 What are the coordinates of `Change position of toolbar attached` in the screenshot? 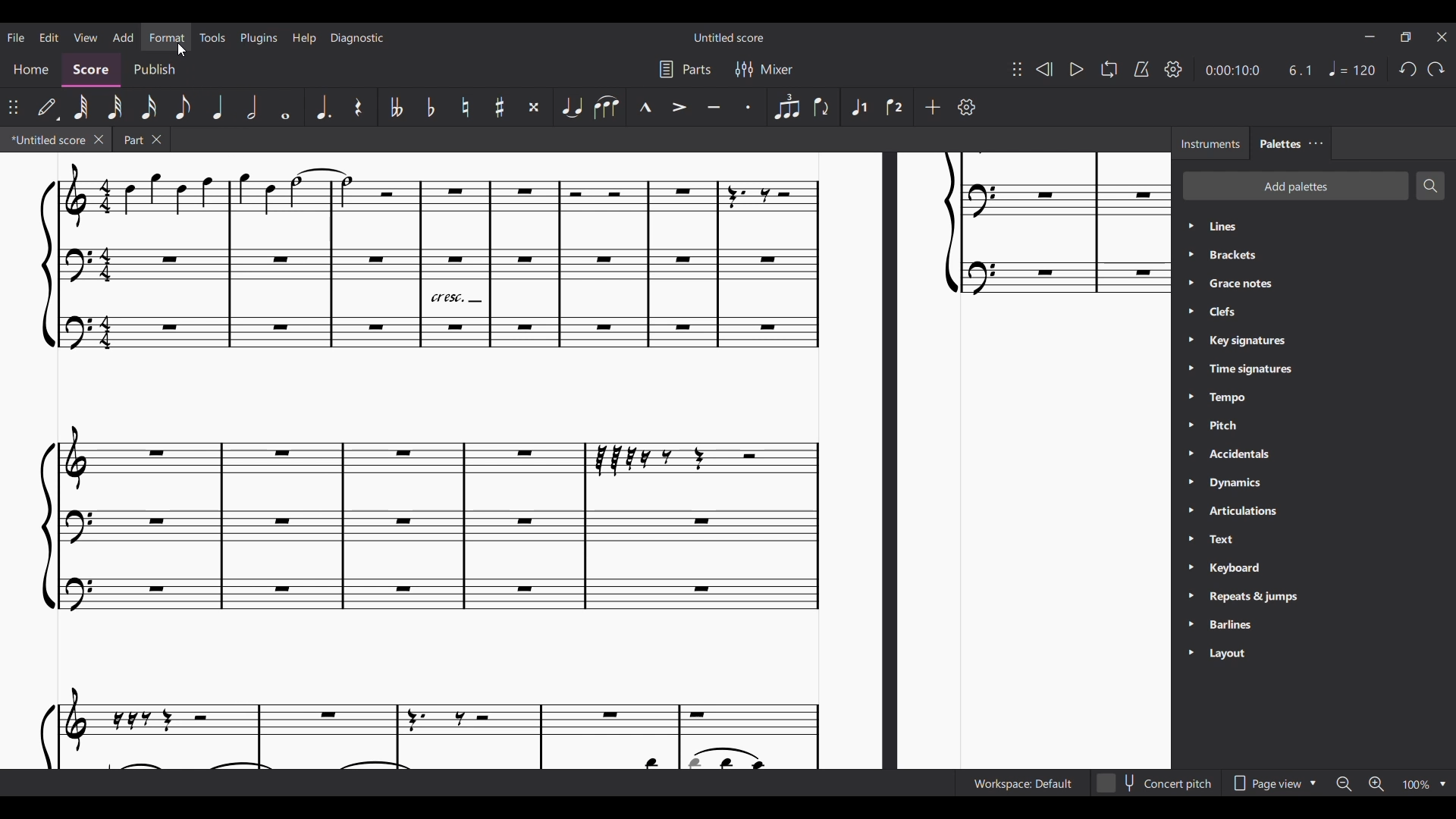 It's located at (1017, 69).